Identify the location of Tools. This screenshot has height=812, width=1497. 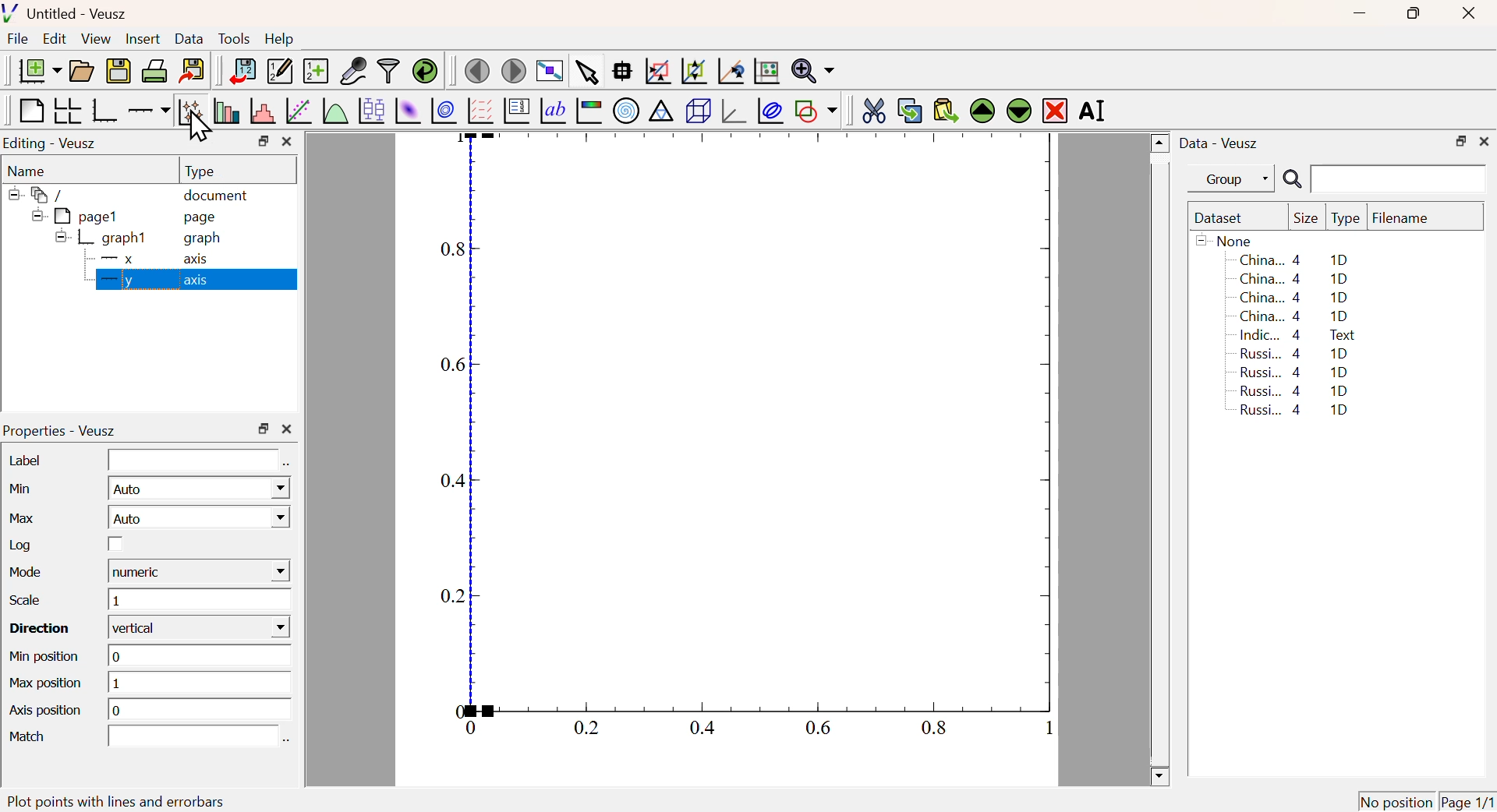
(234, 40).